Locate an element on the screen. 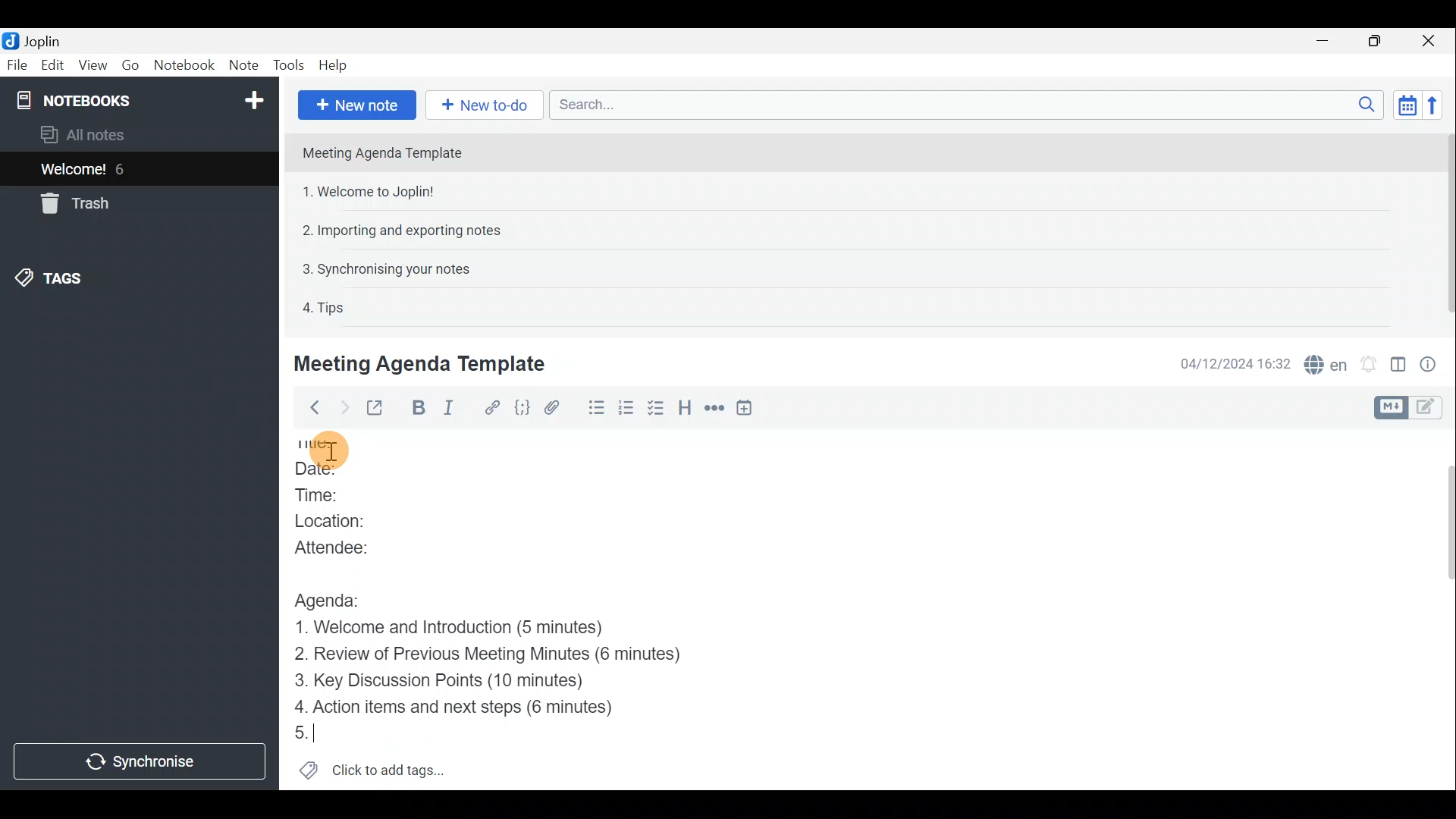 This screenshot has height=819, width=1456. View is located at coordinates (90, 67).